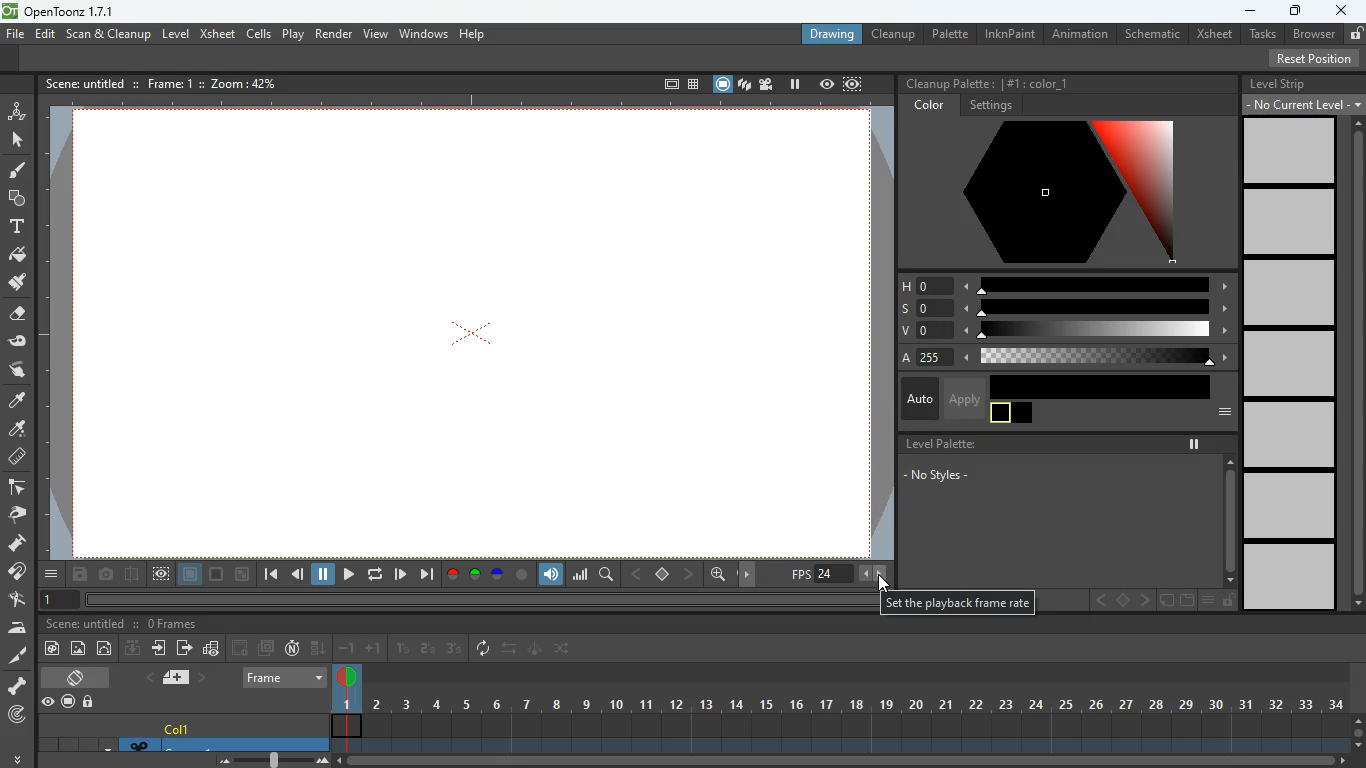  Describe the element at coordinates (273, 760) in the screenshot. I see `zoom` at that location.